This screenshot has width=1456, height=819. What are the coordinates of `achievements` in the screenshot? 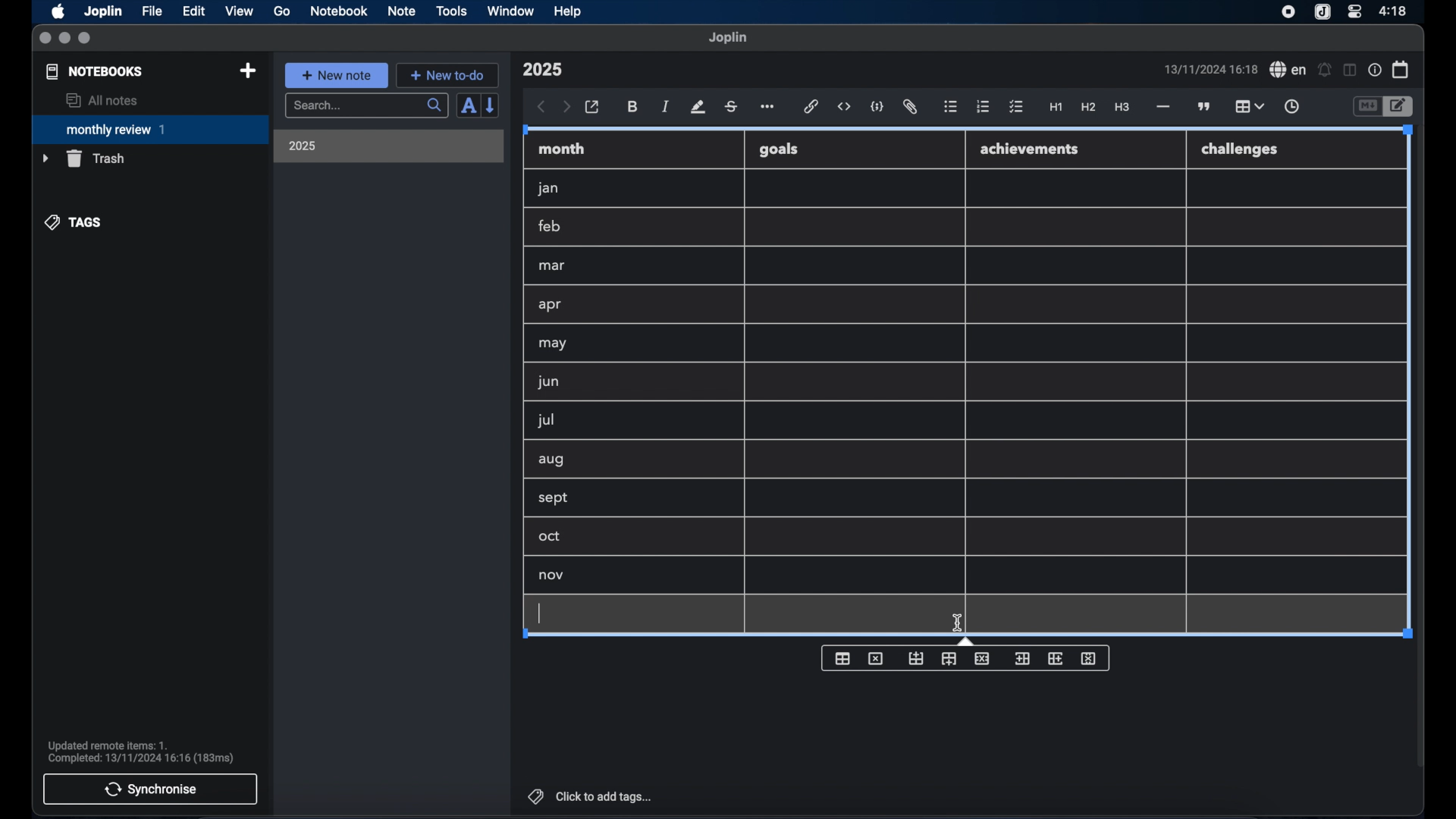 It's located at (1034, 149).